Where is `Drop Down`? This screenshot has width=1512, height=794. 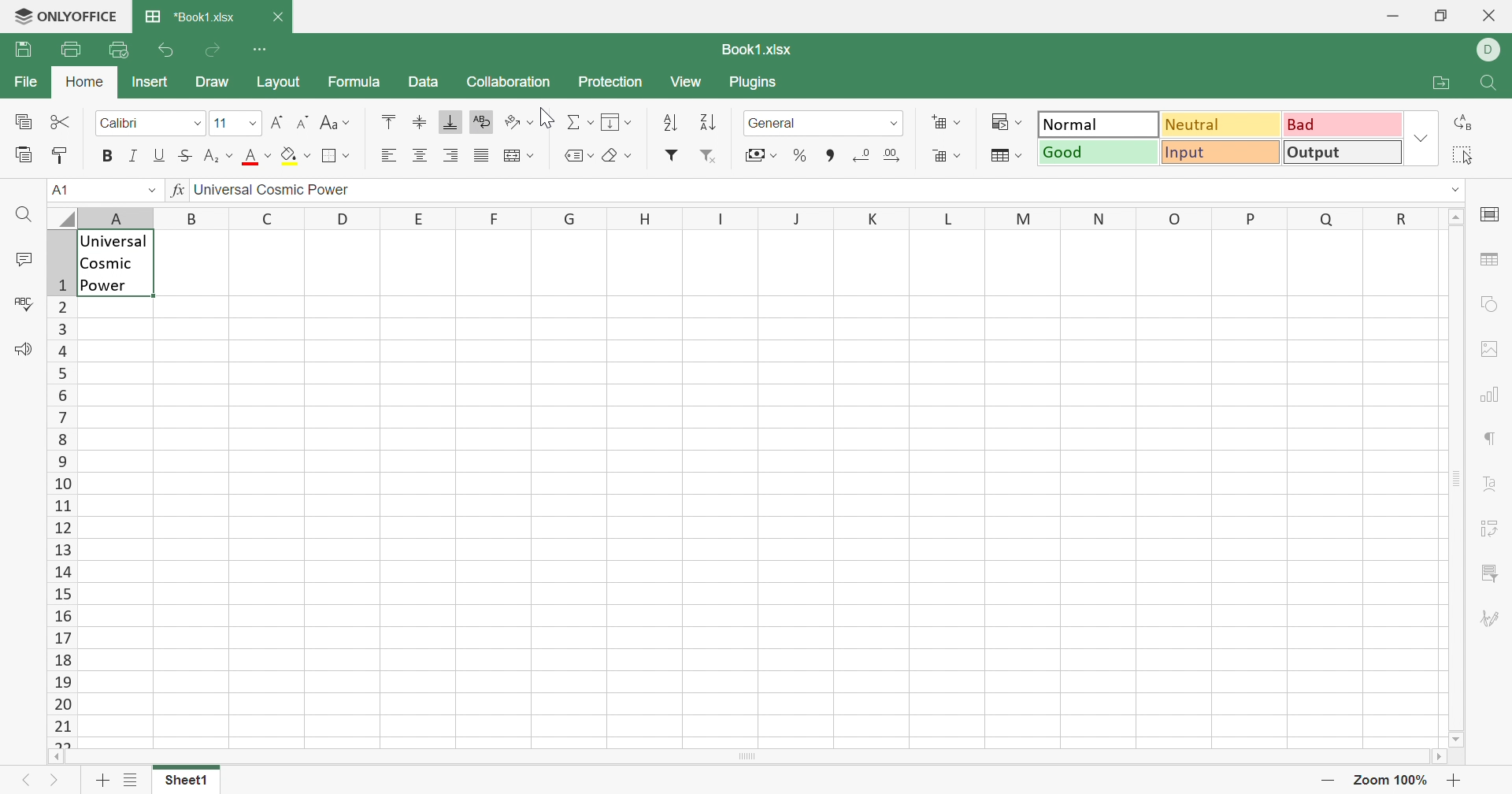 Drop Down is located at coordinates (892, 126).